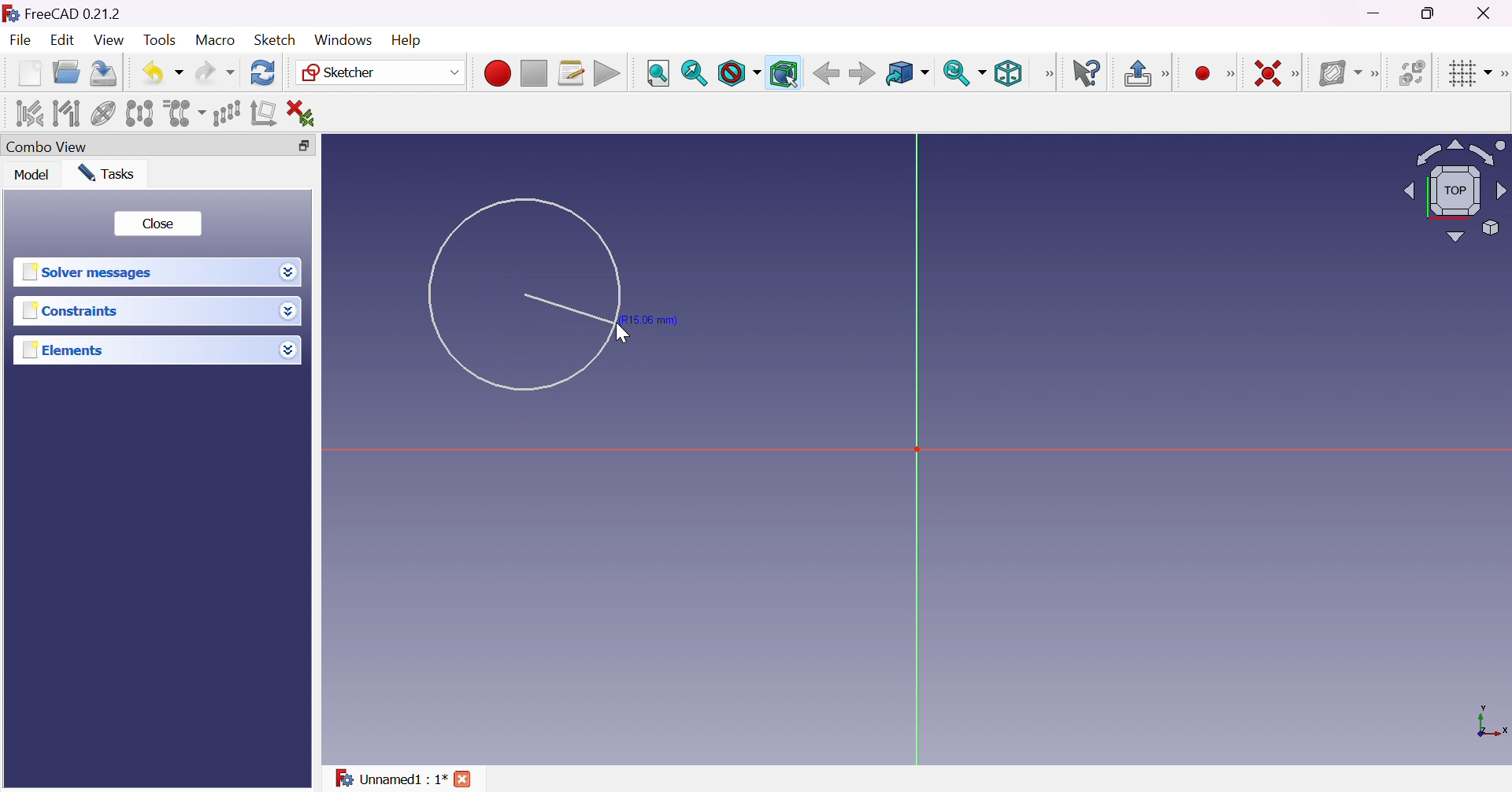 This screenshot has width=1512, height=792. I want to click on Drop down, so click(288, 350).